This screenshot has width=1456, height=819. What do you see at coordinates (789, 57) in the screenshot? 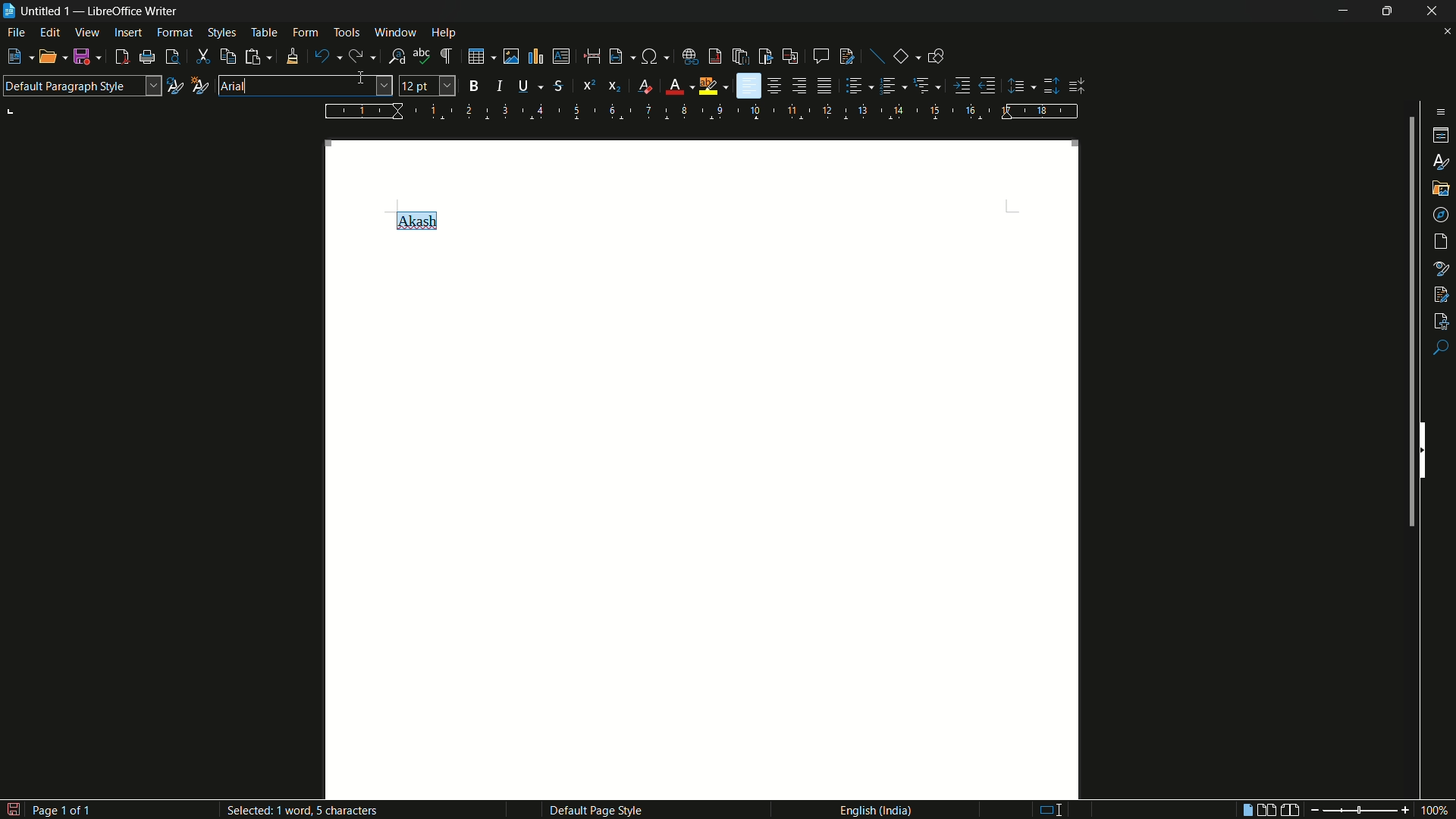
I see `insert cross reference` at bounding box center [789, 57].